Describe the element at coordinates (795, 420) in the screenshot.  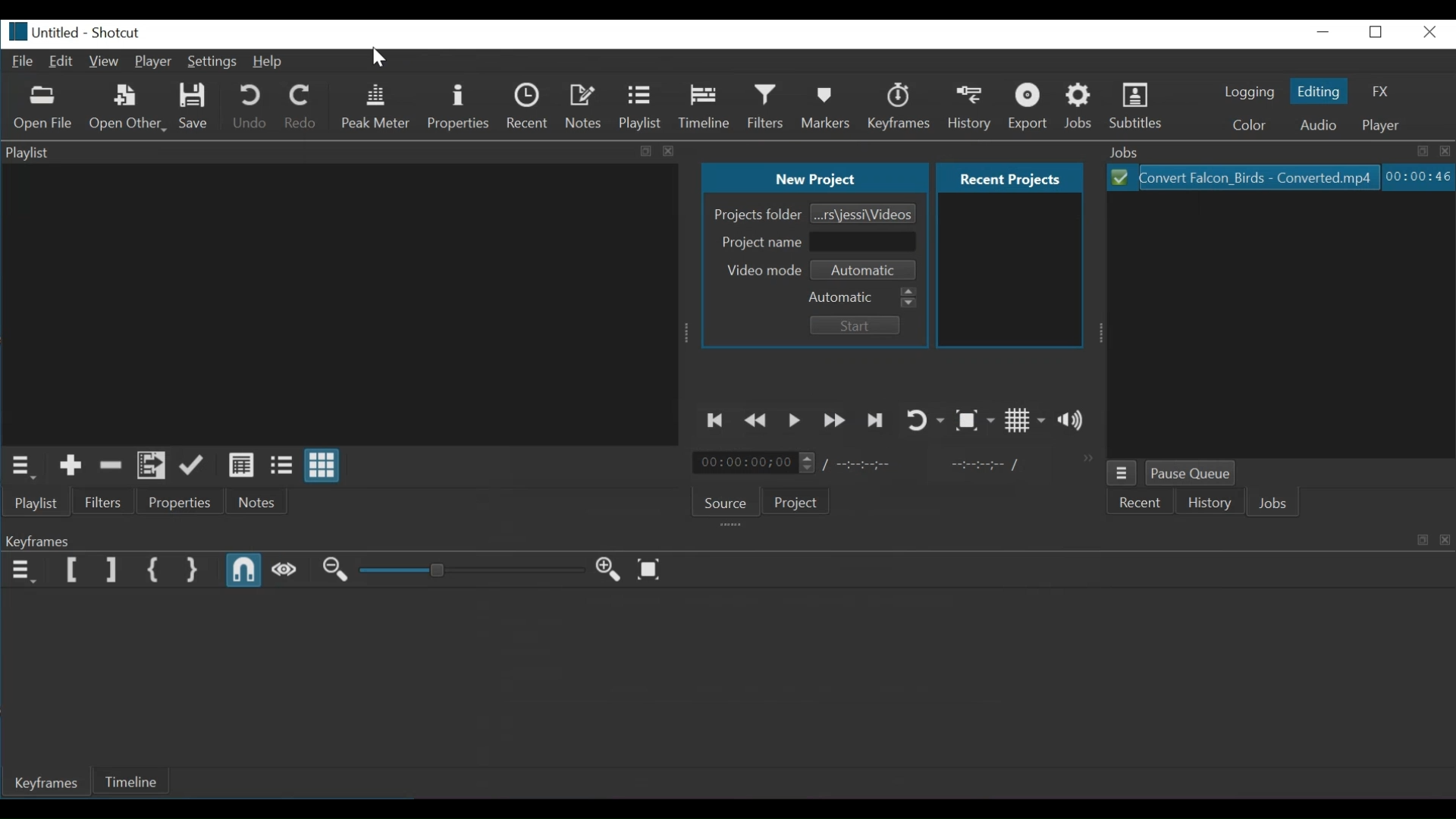
I see `Toggle play or pause` at that location.